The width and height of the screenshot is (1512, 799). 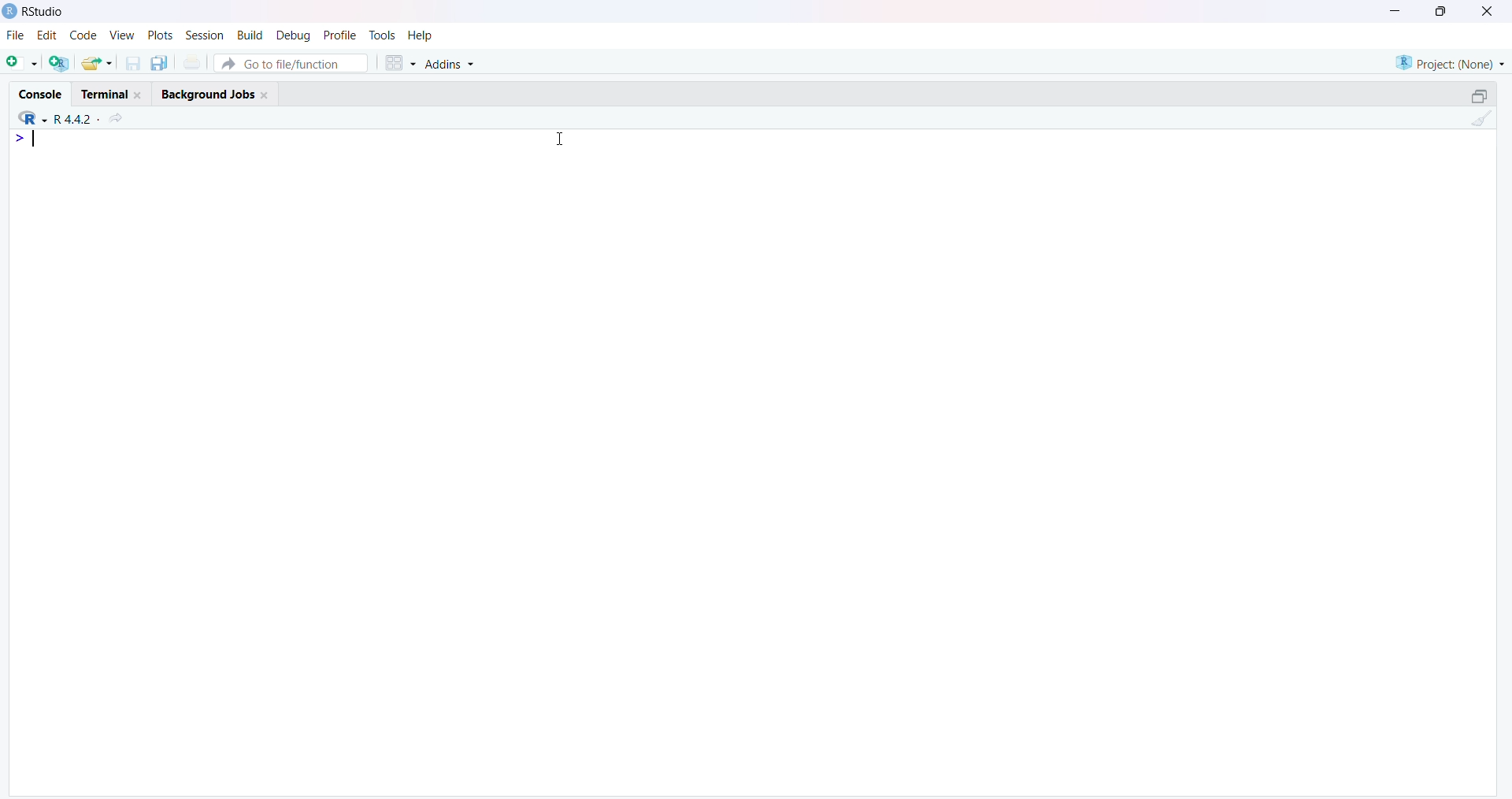 I want to click on Print the current file, so click(x=198, y=61).